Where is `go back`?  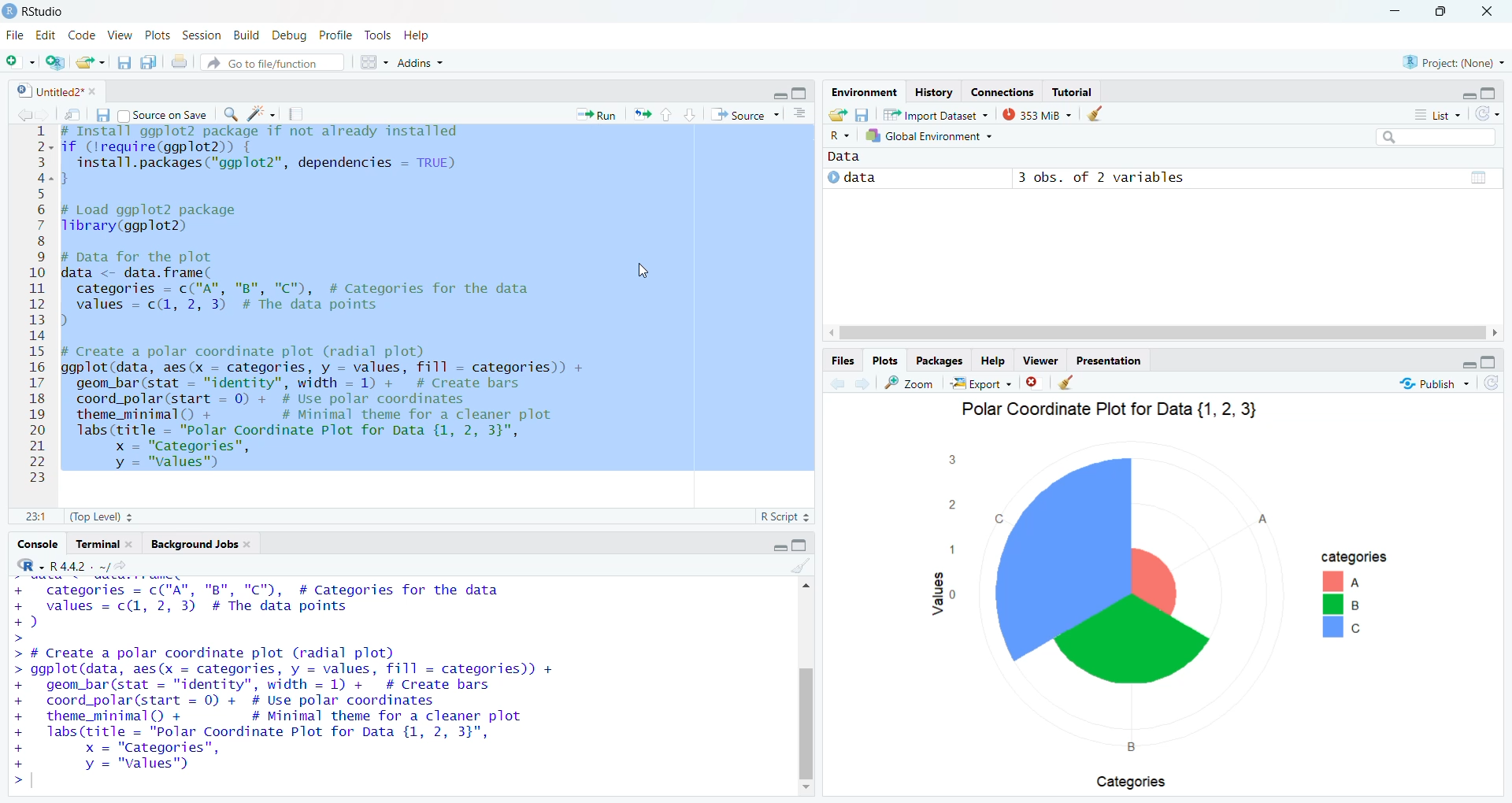
go back is located at coordinates (834, 384).